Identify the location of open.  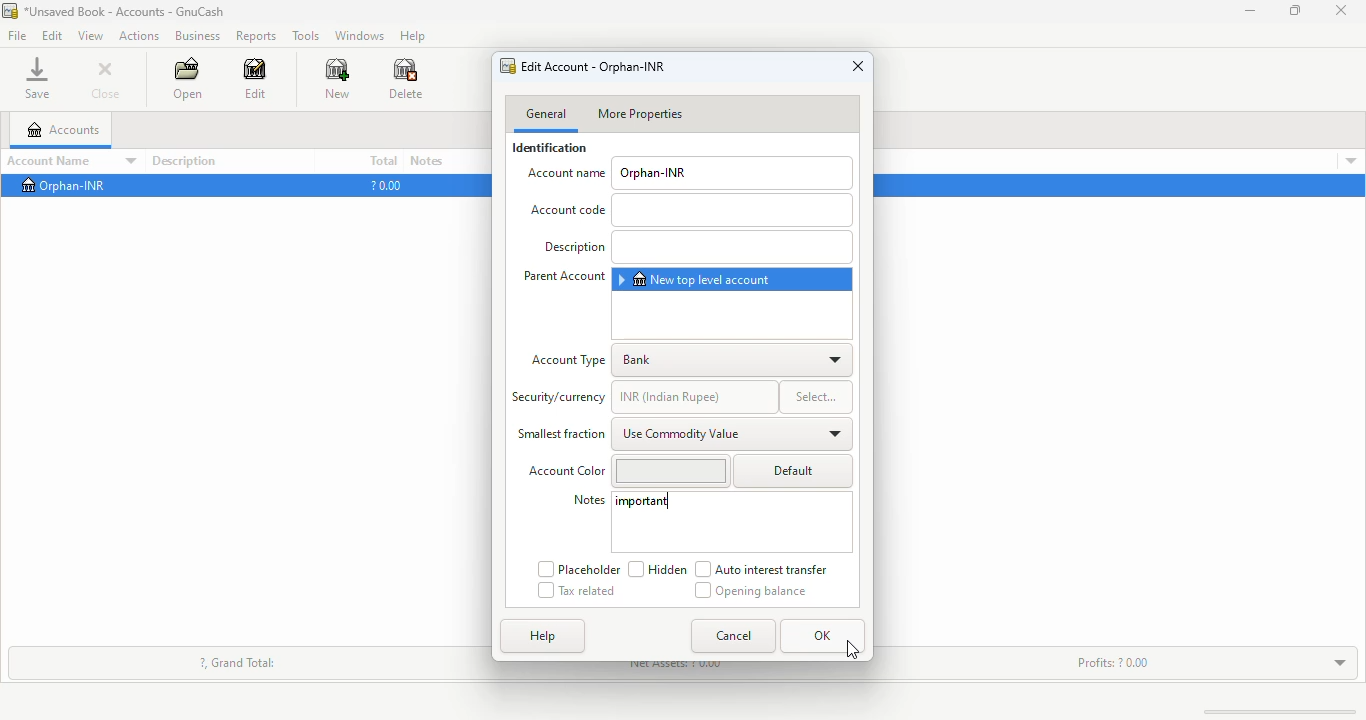
(188, 79).